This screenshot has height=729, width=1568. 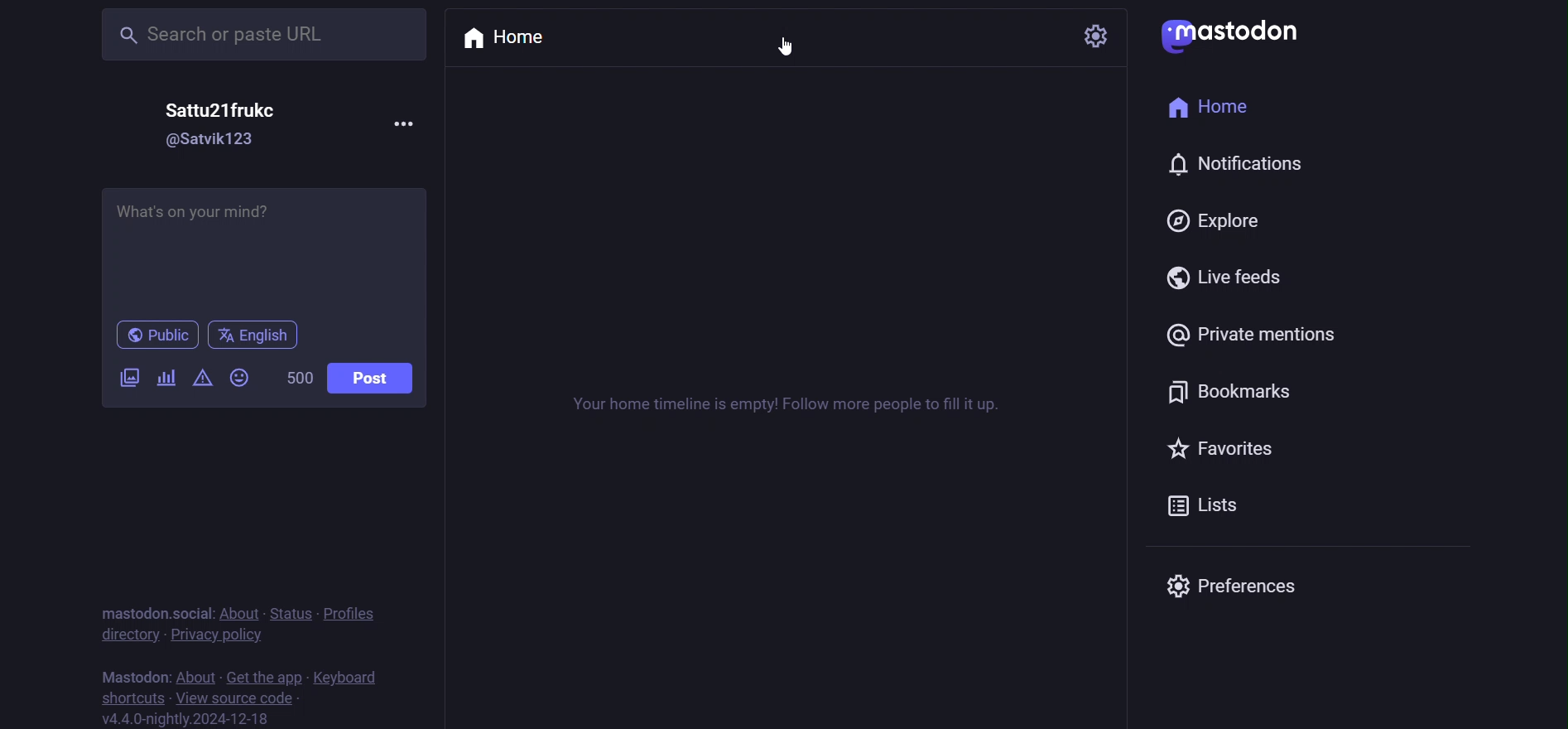 I want to click on mastodon, so click(x=129, y=676).